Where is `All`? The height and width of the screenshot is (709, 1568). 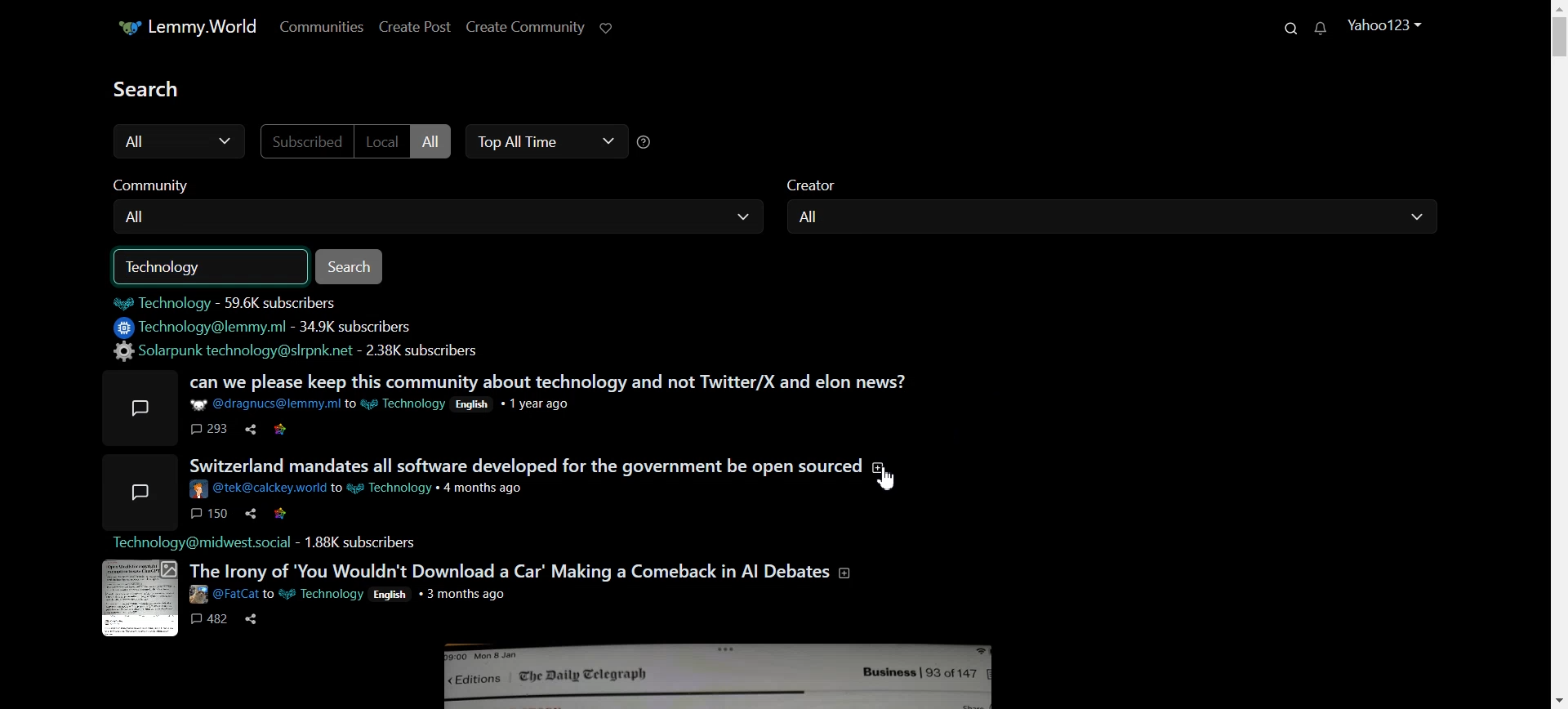
All is located at coordinates (176, 142).